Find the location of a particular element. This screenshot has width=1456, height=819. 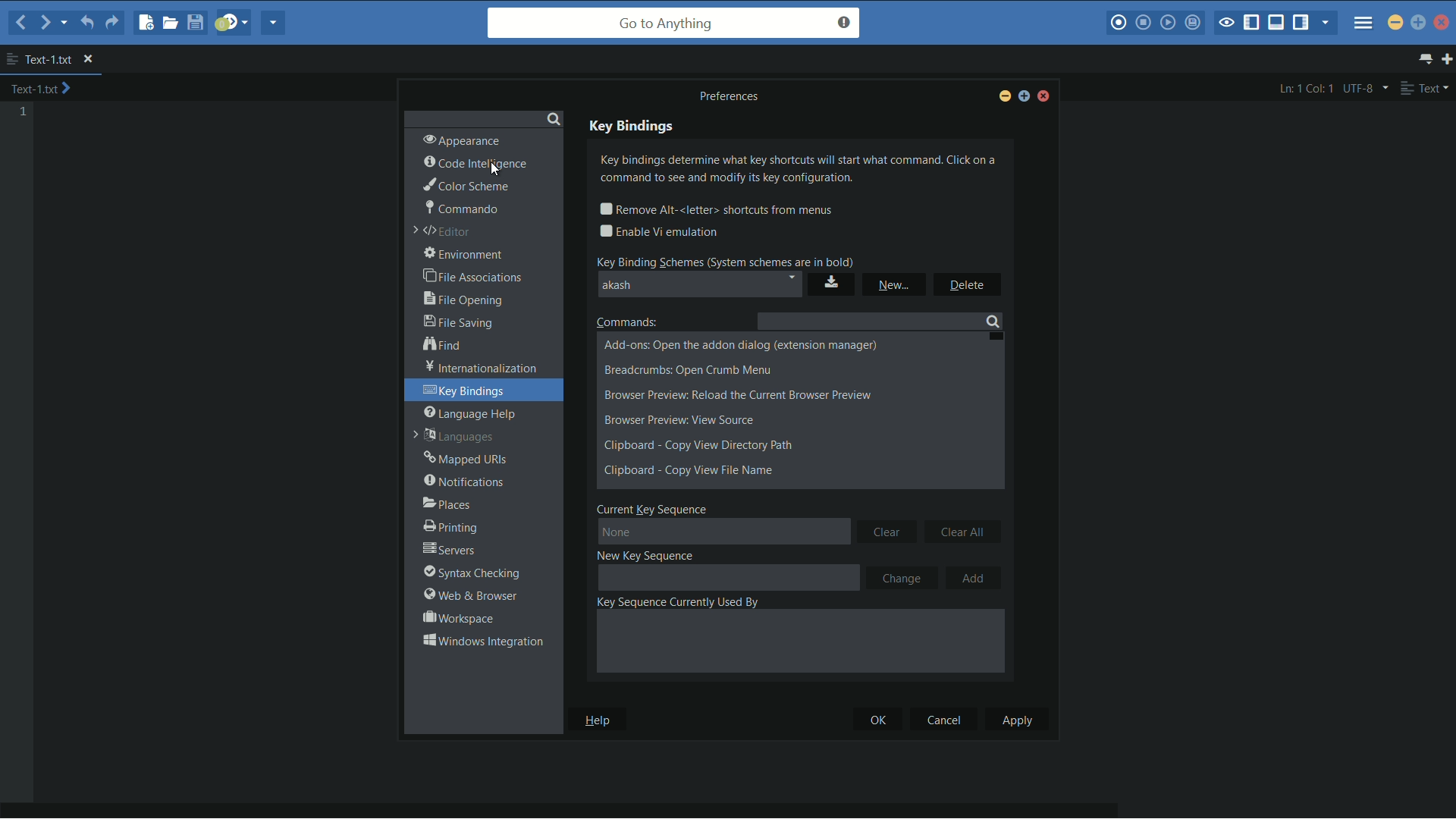

syntax checking is located at coordinates (470, 573).